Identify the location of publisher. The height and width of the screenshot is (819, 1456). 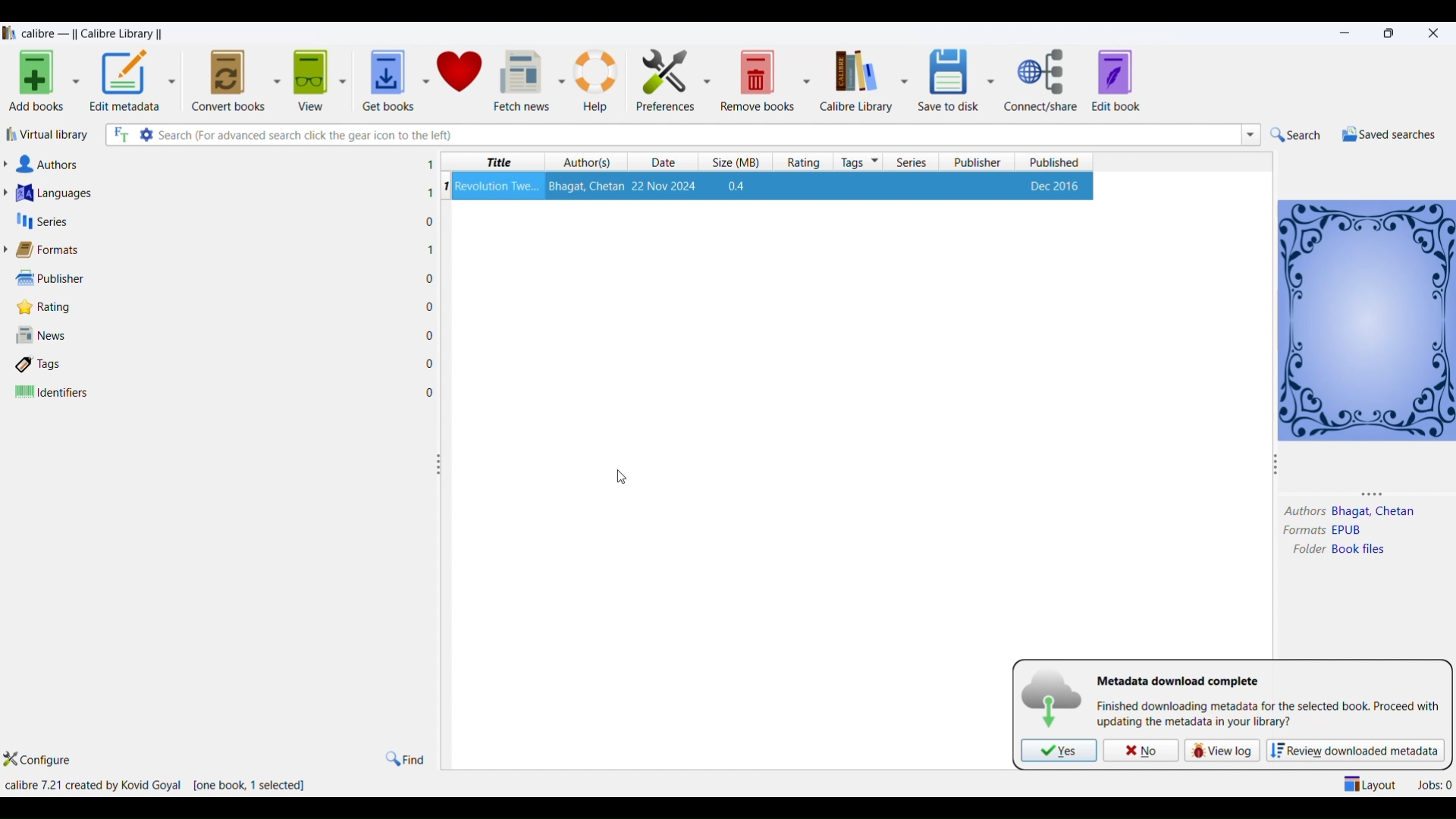
(979, 162).